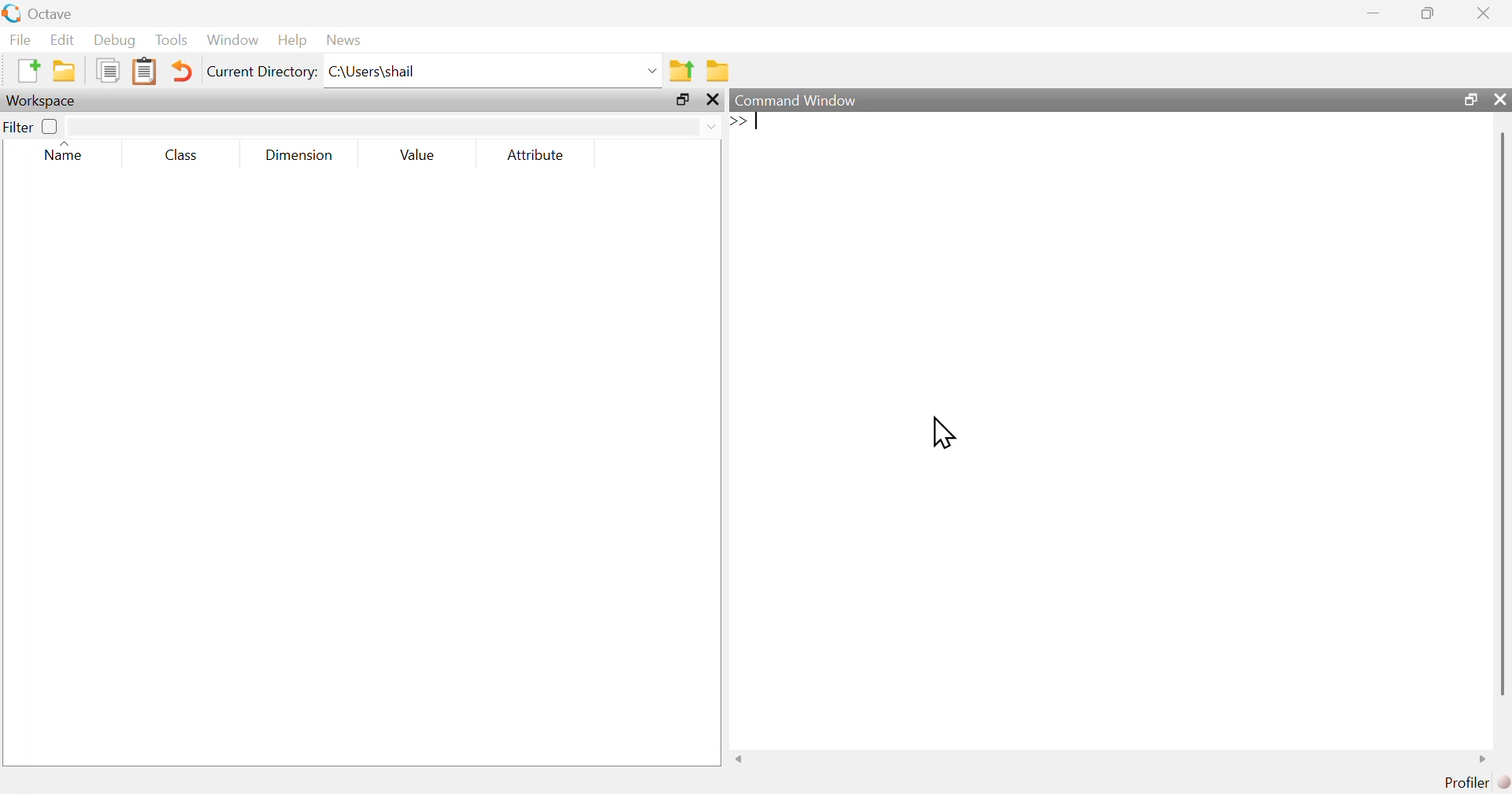 This screenshot has height=794, width=1512. What do you see at coordinates (739, 759) in the screenshot?
I see `scroll left` at bounding box center [739, 759].